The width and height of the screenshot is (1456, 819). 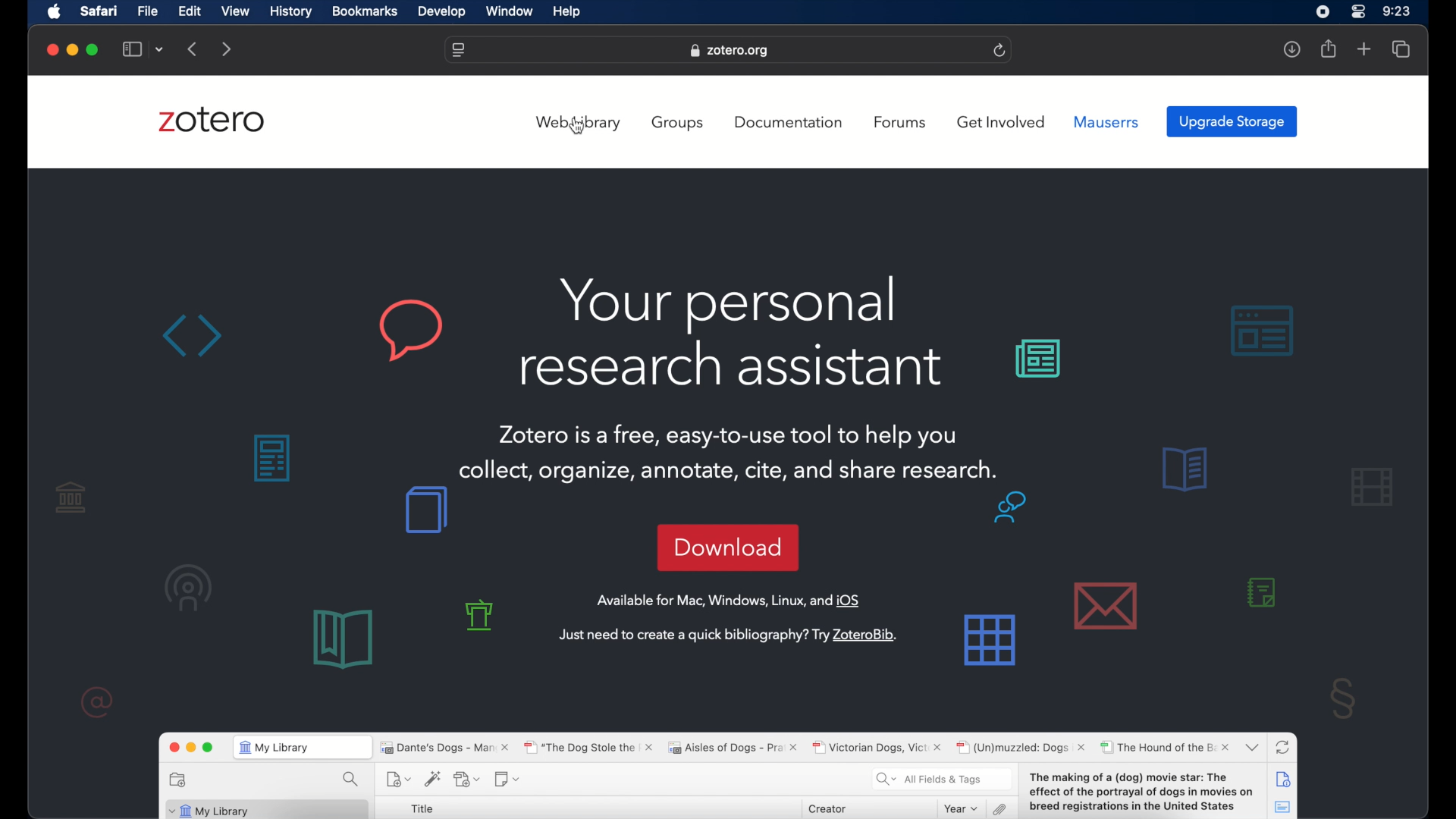 I want to click on maximize, so click(x=94, y=50).